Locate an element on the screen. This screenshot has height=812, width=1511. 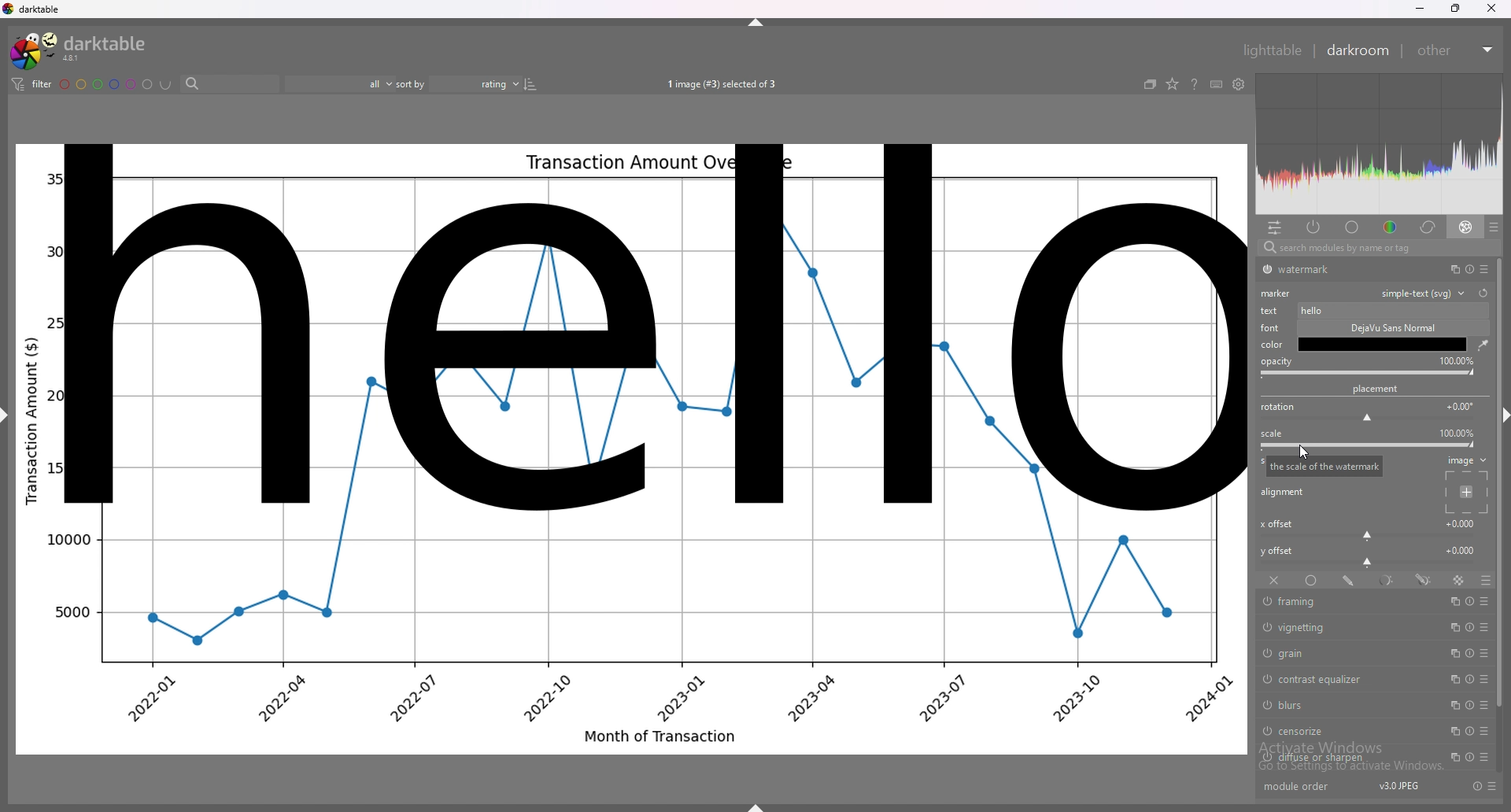
search bar is located at coordinates (226, 85).